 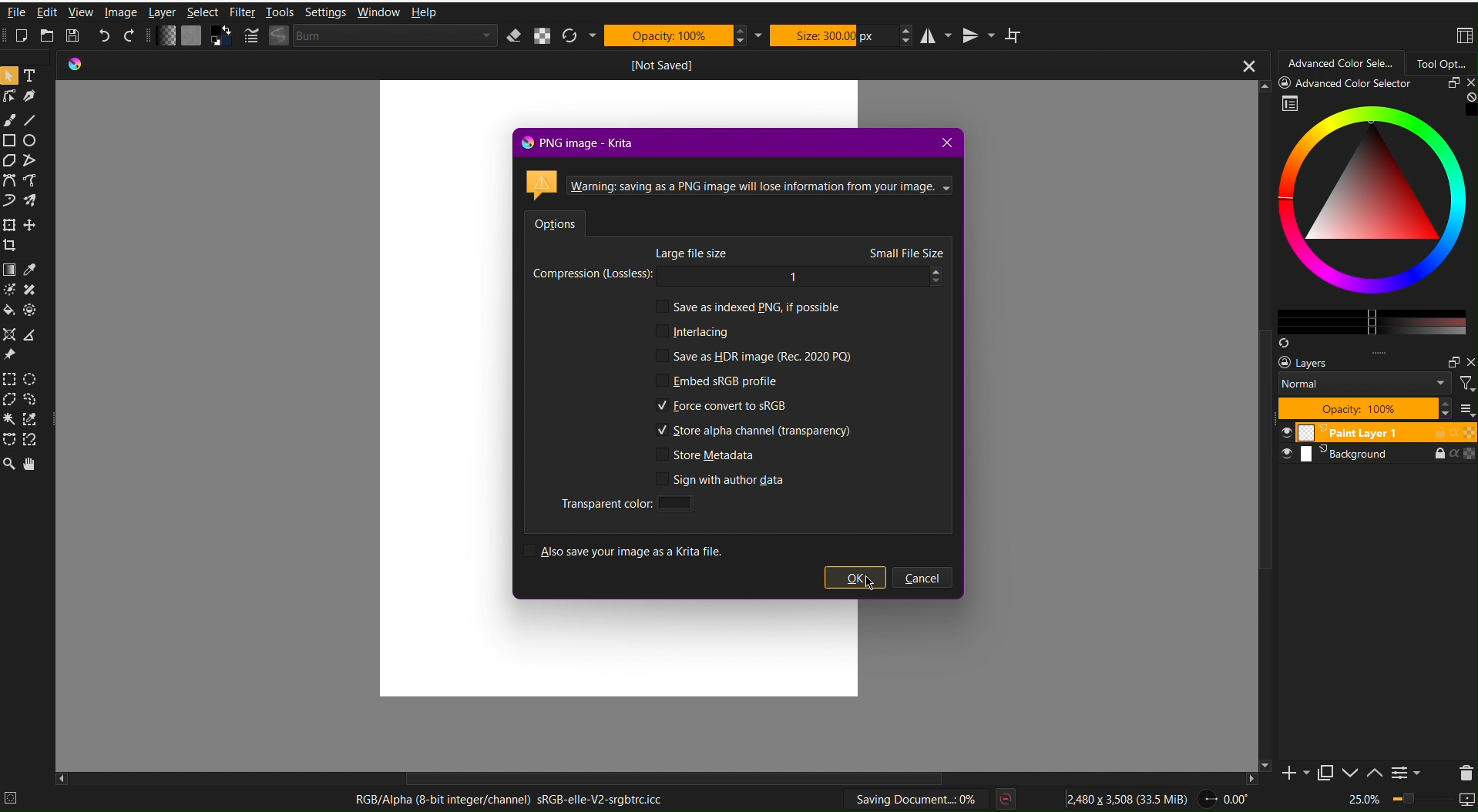 What do you see at coordinates (104, 38) in the screenshot?
I see `Undo` at bounding box center [104, 38].